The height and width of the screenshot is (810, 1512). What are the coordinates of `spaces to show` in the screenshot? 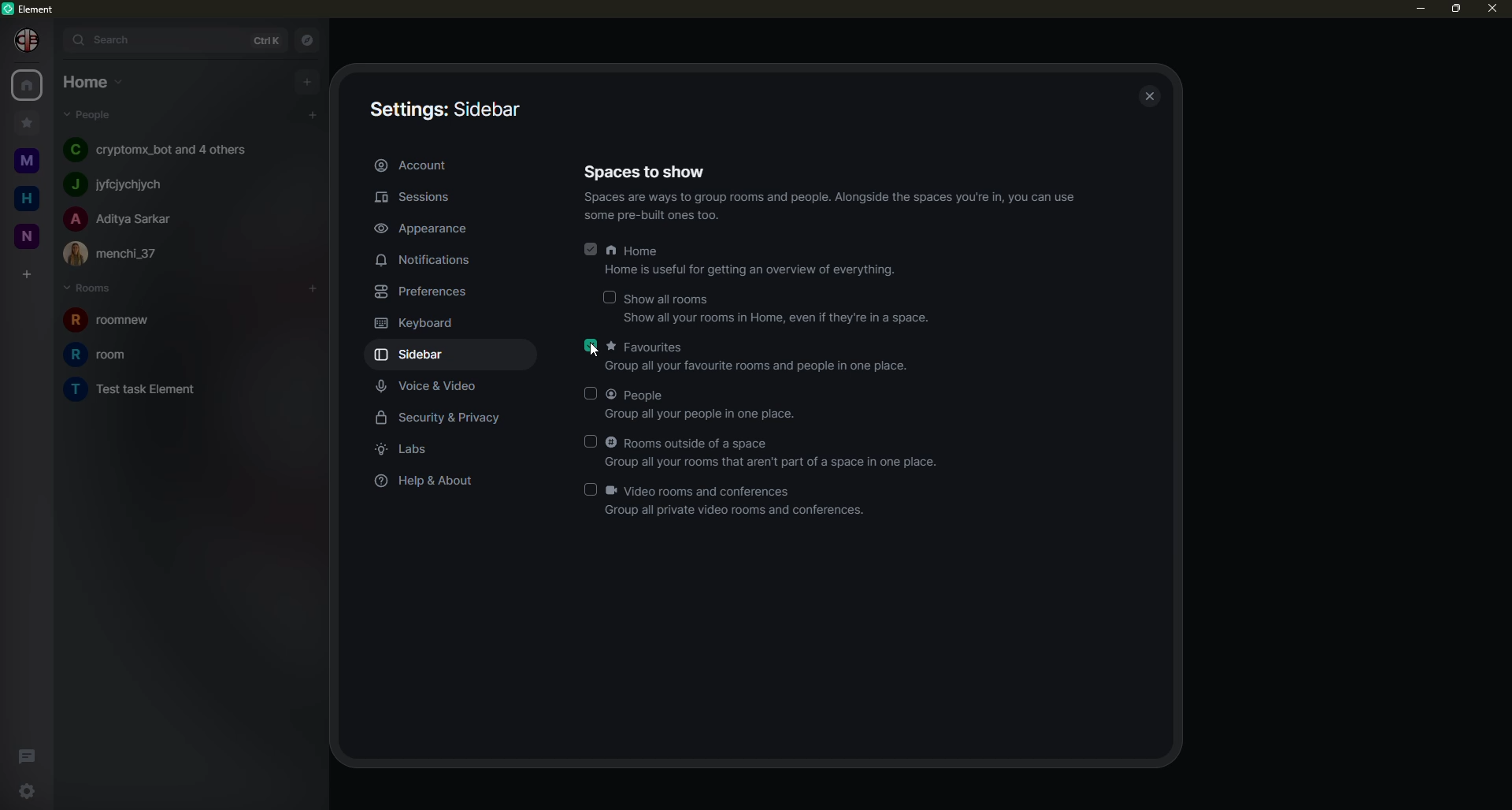 It's located at (649, 171).